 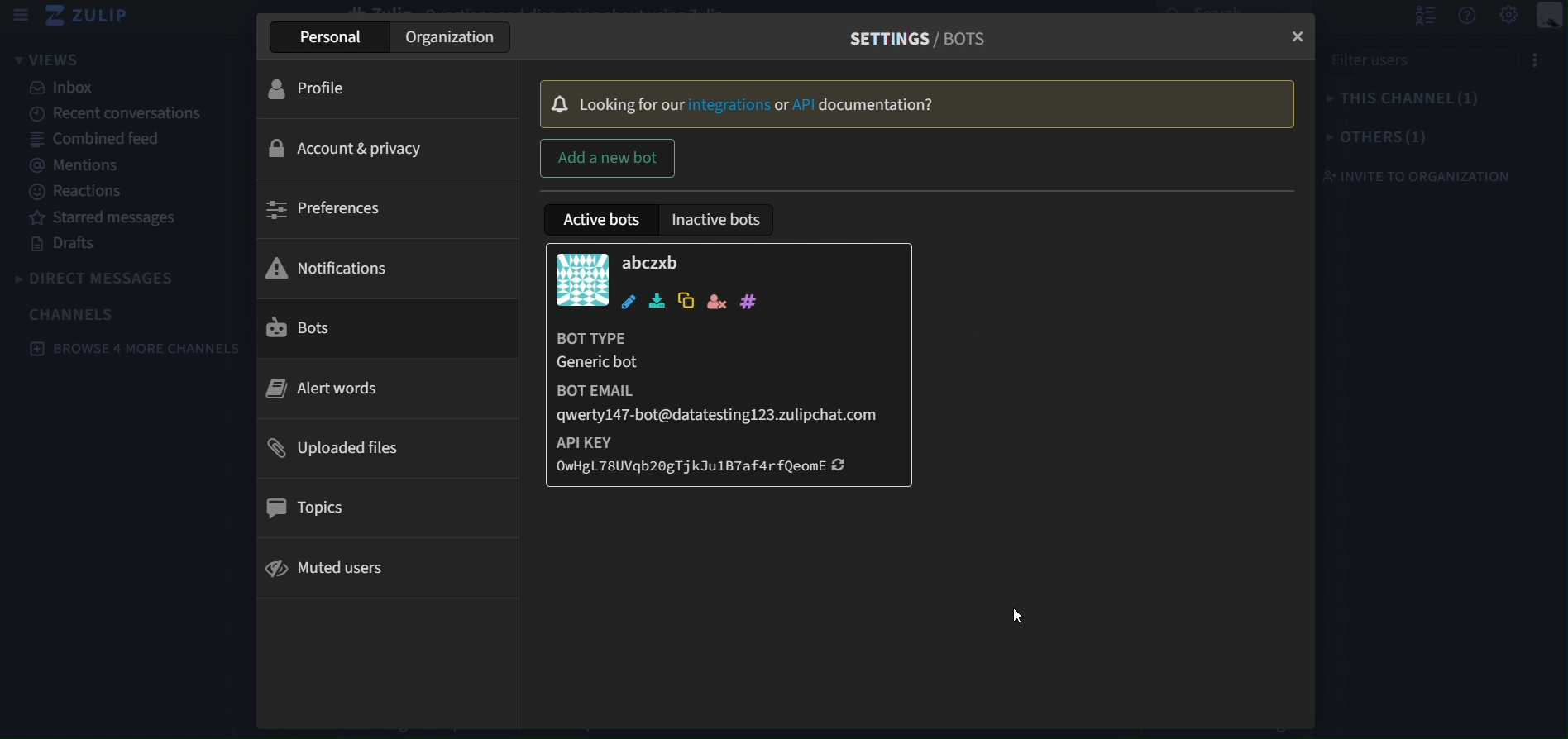 What do you see at coordinates (581, 279) in the screenshot?
I see `image` at bounding box center [581, 279].